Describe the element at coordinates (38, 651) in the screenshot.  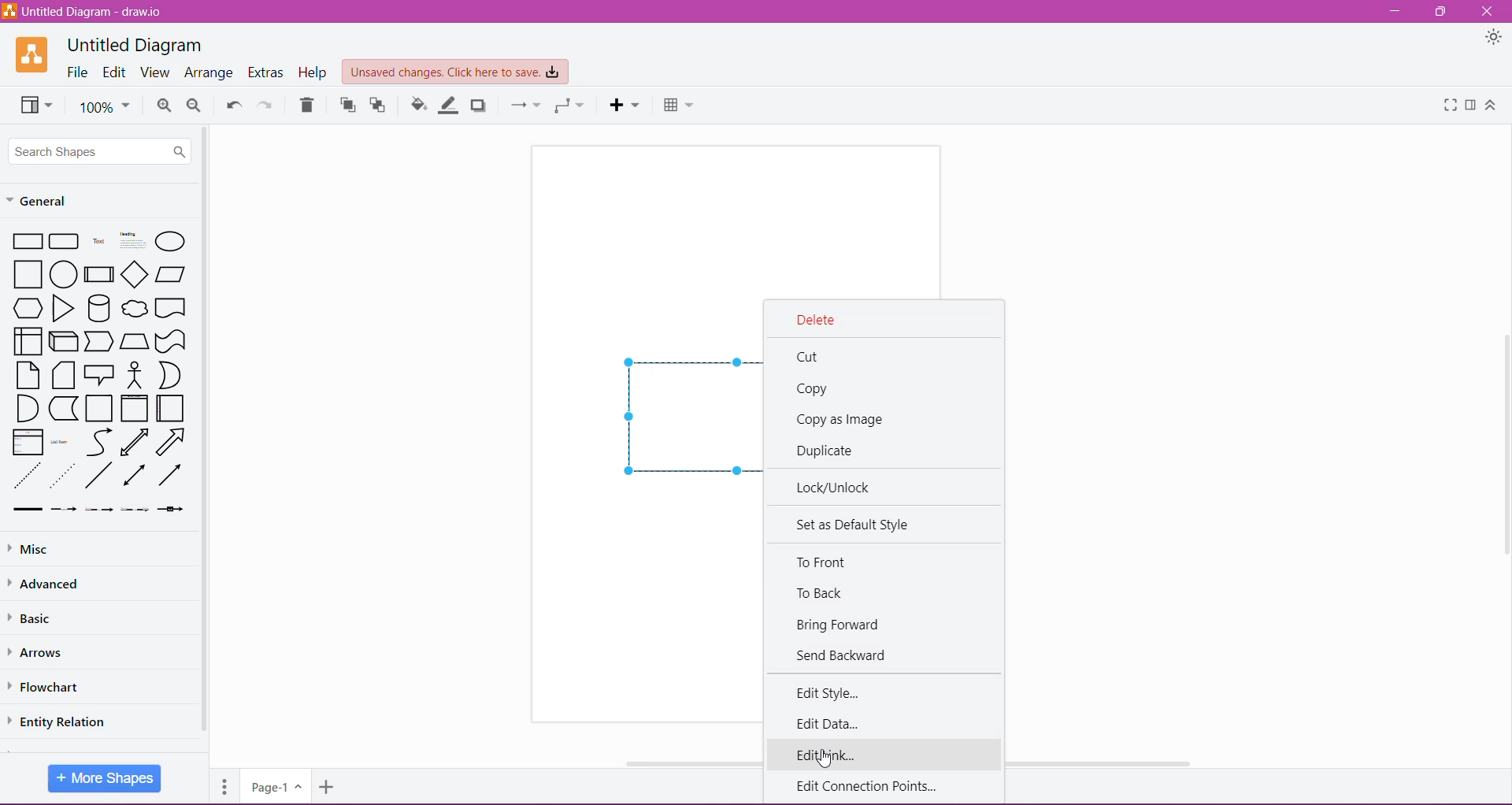
I see `Arrows` at that location.